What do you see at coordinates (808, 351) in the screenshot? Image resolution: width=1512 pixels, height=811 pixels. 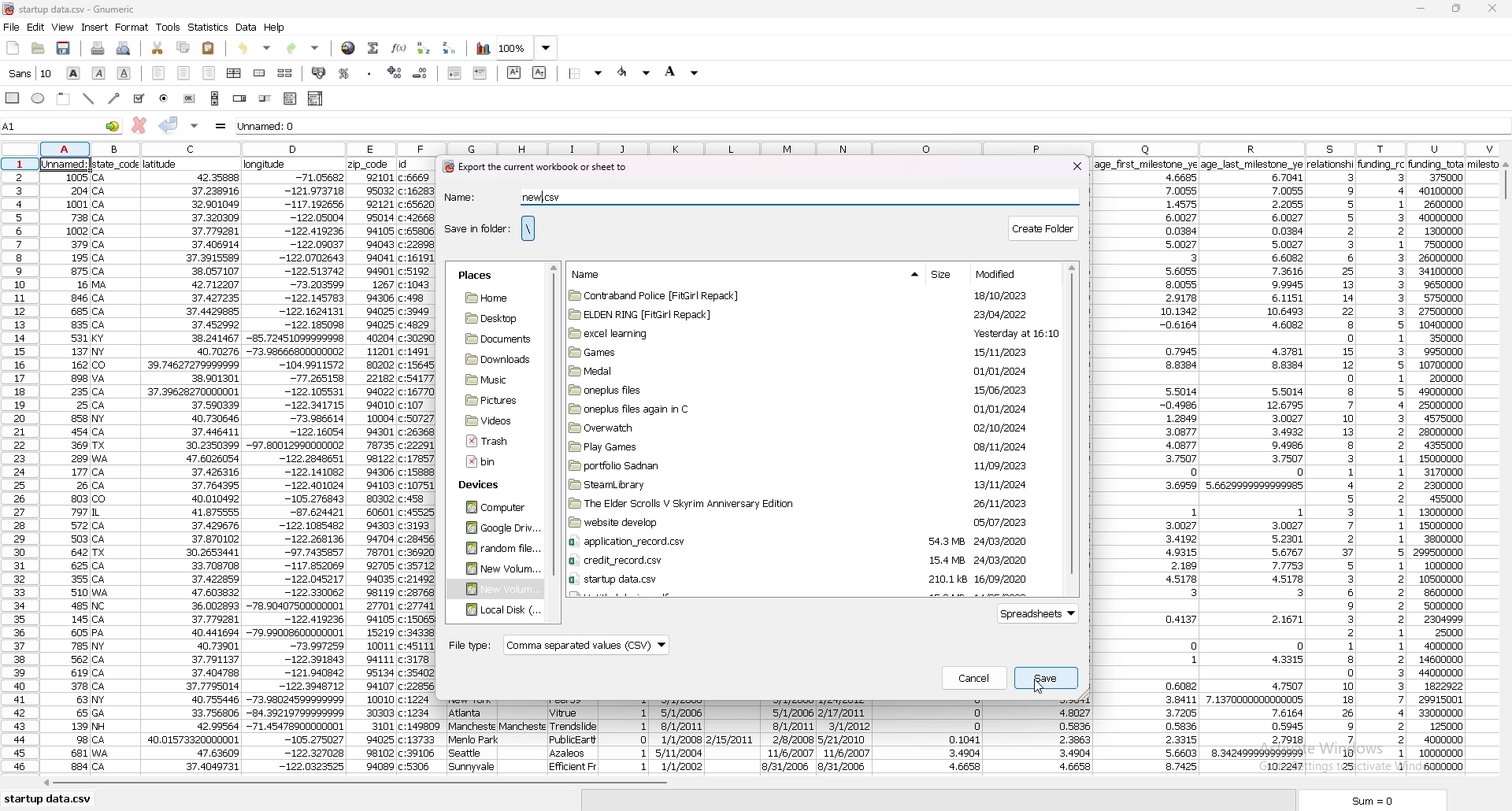 I see `folder` at bounding box center [808, 351].